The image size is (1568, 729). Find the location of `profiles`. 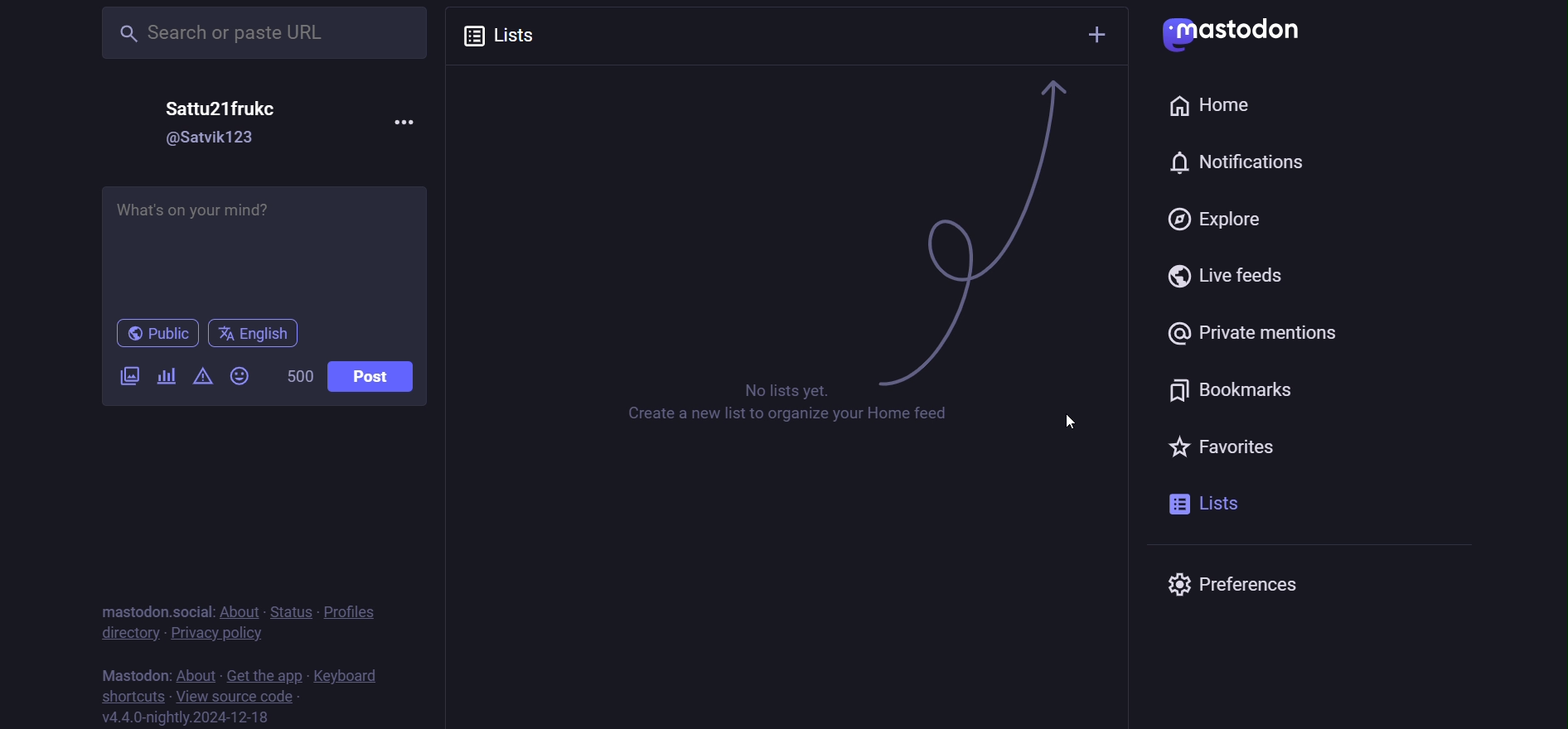

profiles is located at coordinates (359, 612).